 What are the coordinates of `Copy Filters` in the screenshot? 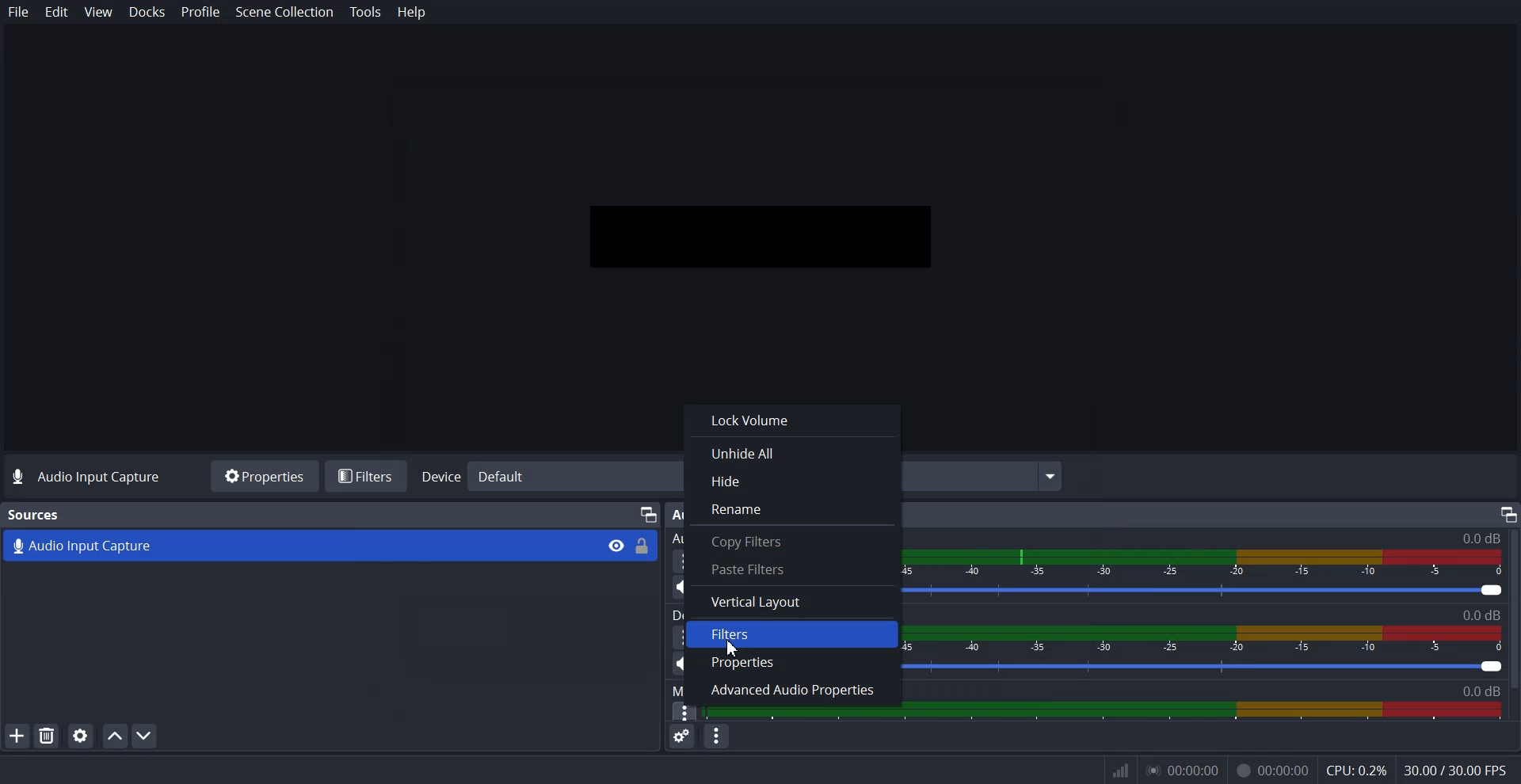 It's located at (783, 542).